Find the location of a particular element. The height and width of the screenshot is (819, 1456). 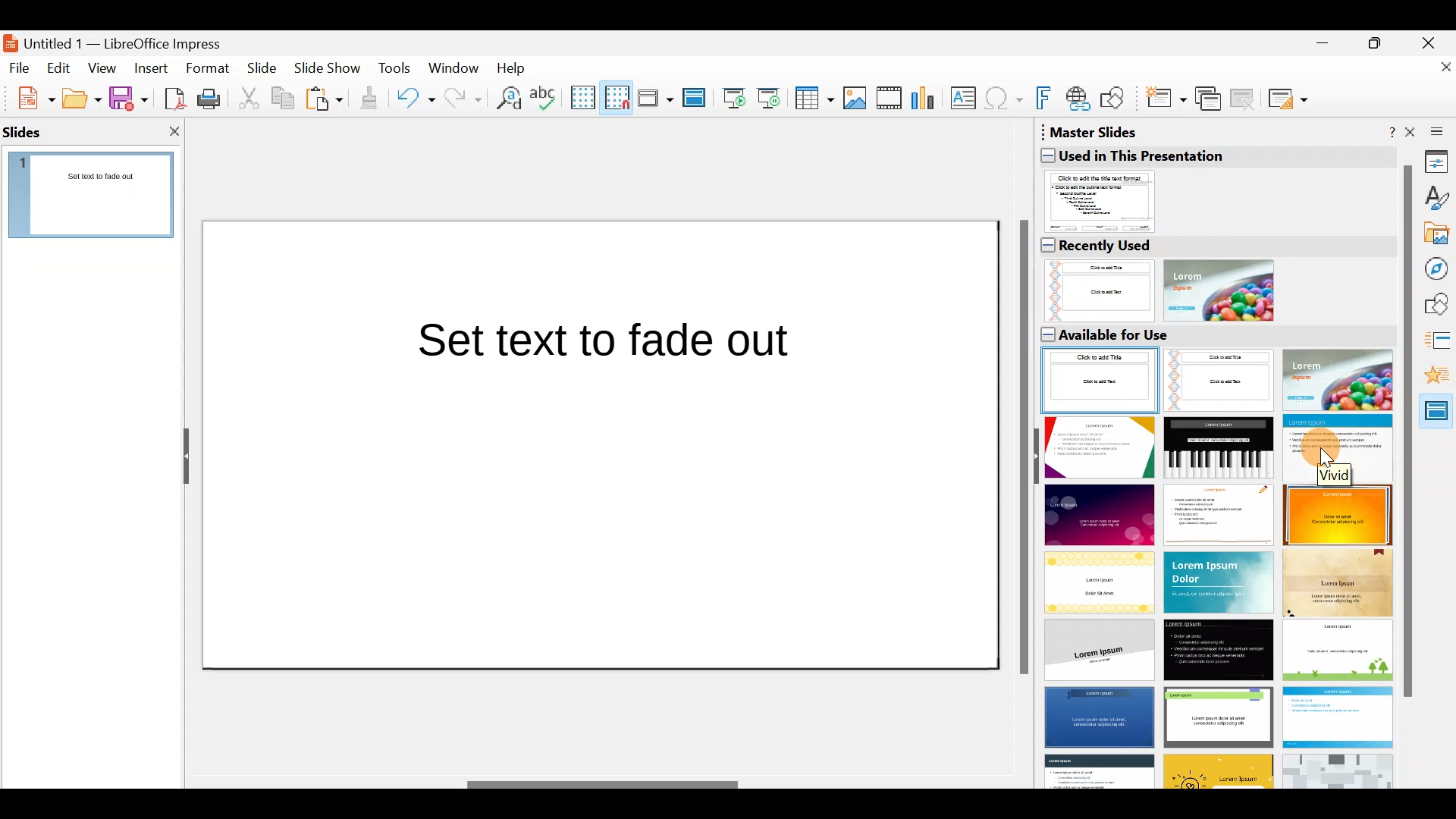

Display views is located at coordinates (654, 97).